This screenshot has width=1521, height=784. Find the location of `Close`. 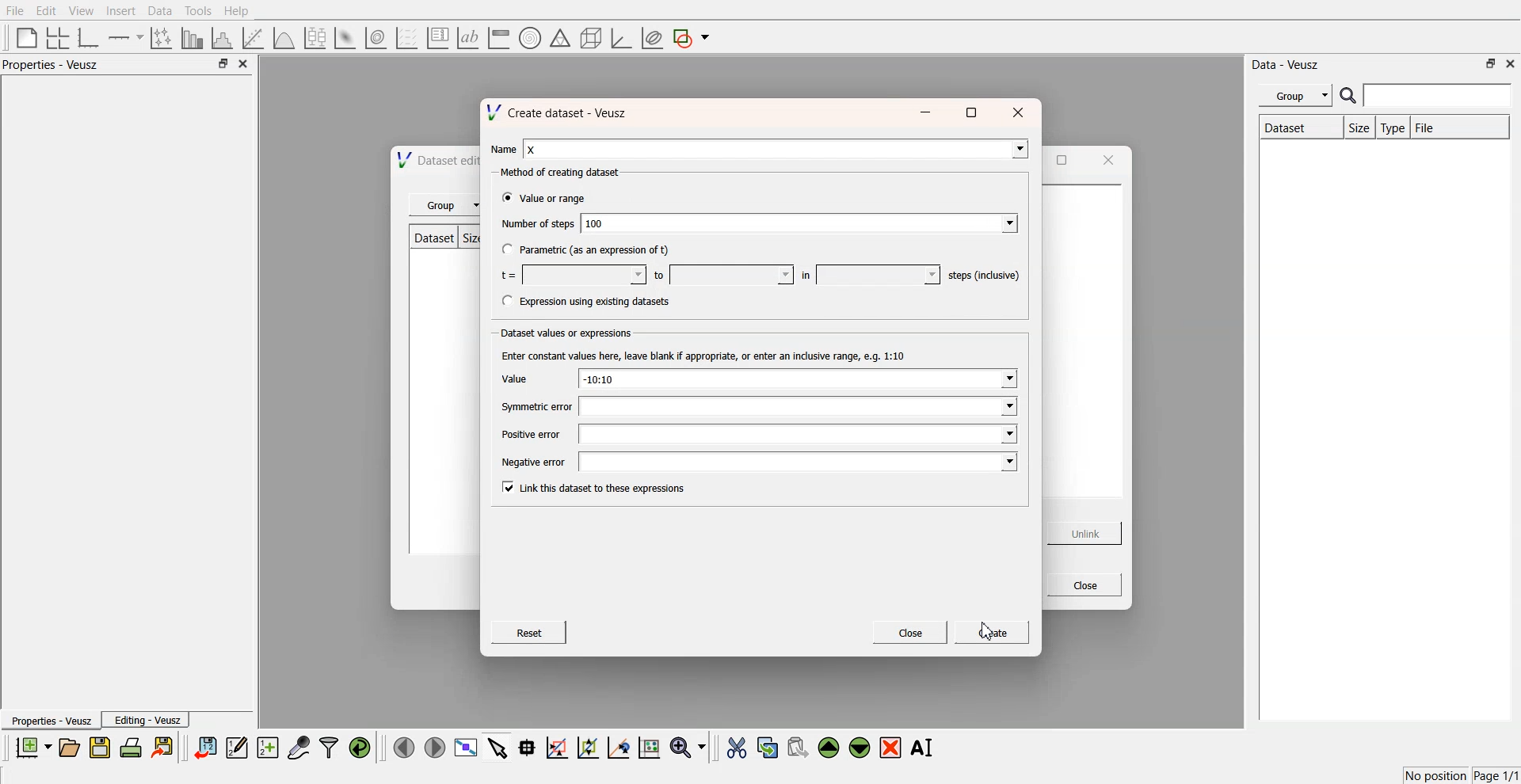

Close is located at coordinates (912, 631).